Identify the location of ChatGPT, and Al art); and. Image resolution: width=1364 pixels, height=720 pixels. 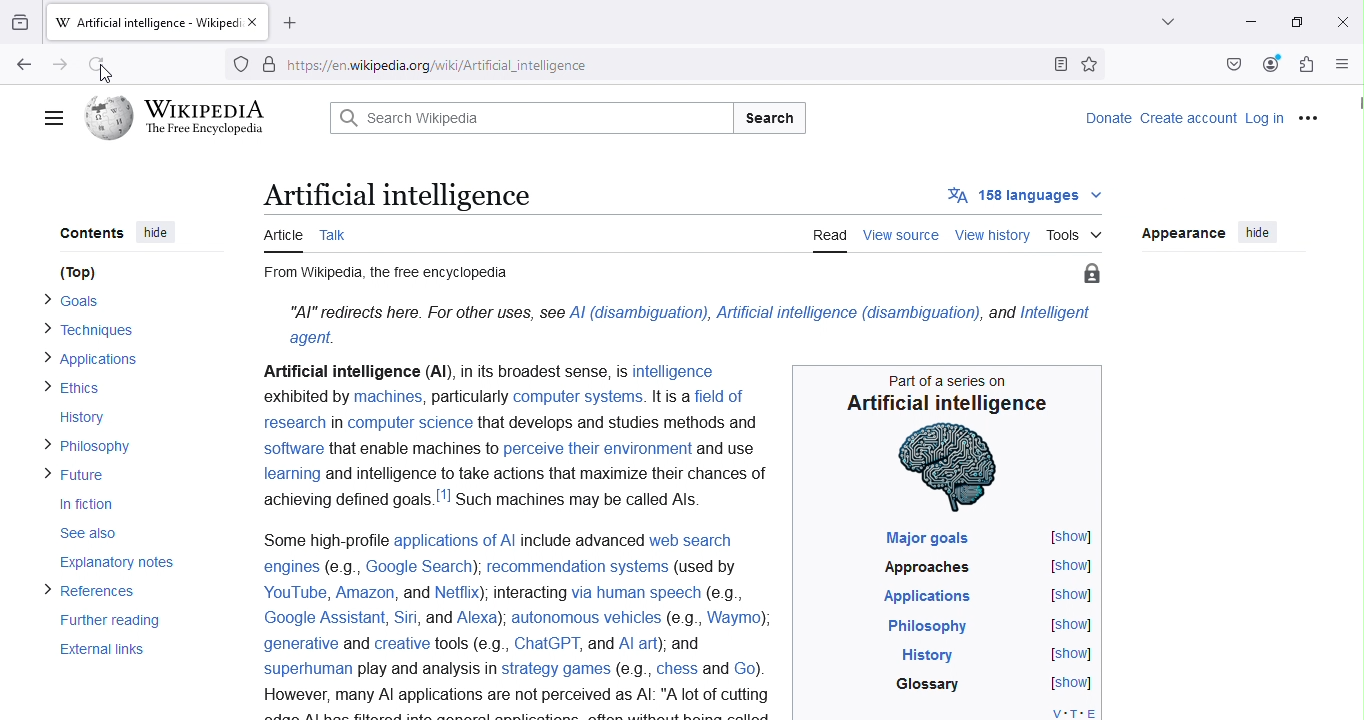
(616, 643).